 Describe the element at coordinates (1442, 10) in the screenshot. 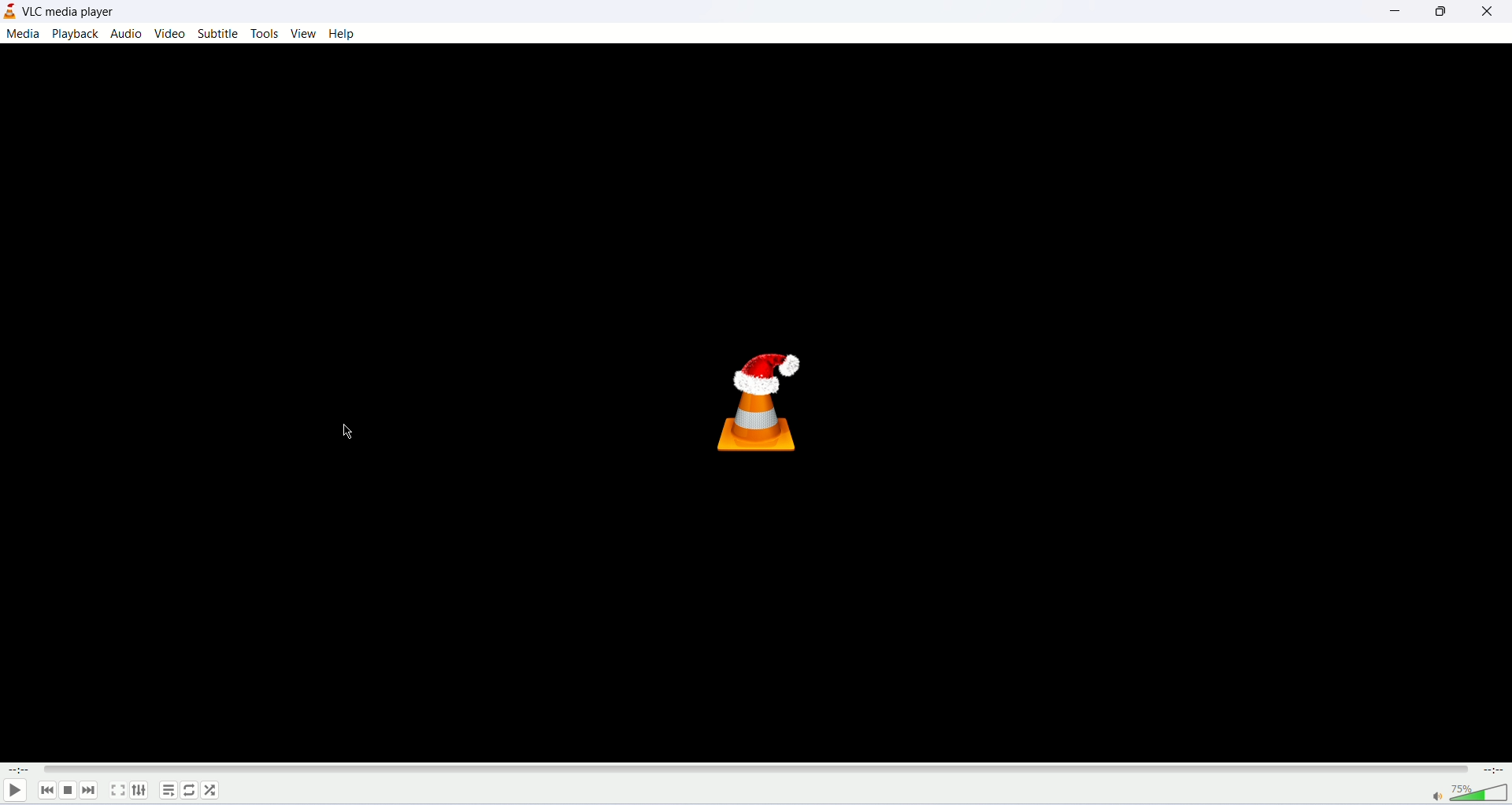

I see `maximize` at that location.